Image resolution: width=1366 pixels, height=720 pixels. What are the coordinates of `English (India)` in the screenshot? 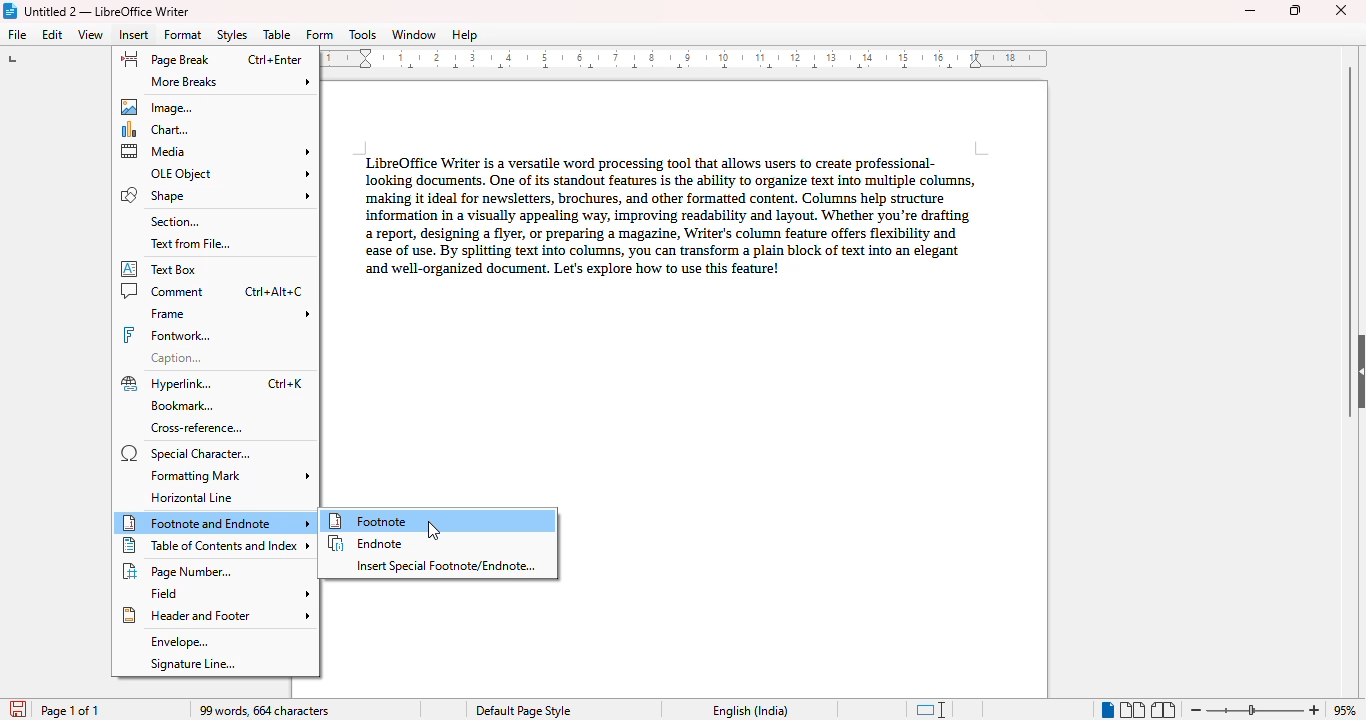 It's located at (750, 711).